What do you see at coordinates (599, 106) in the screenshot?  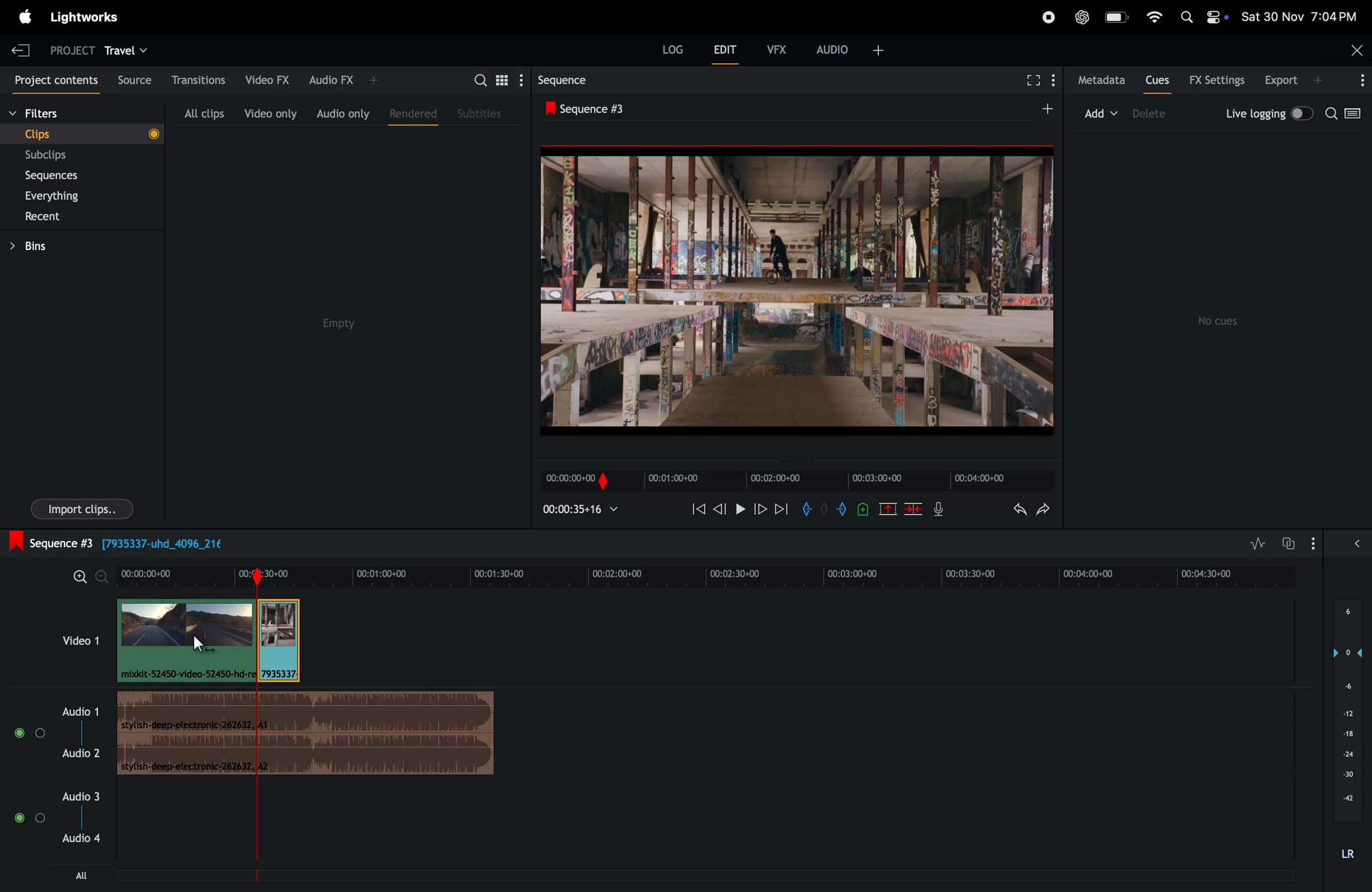 I see `sequence #3` at bounding box center [599, 106].